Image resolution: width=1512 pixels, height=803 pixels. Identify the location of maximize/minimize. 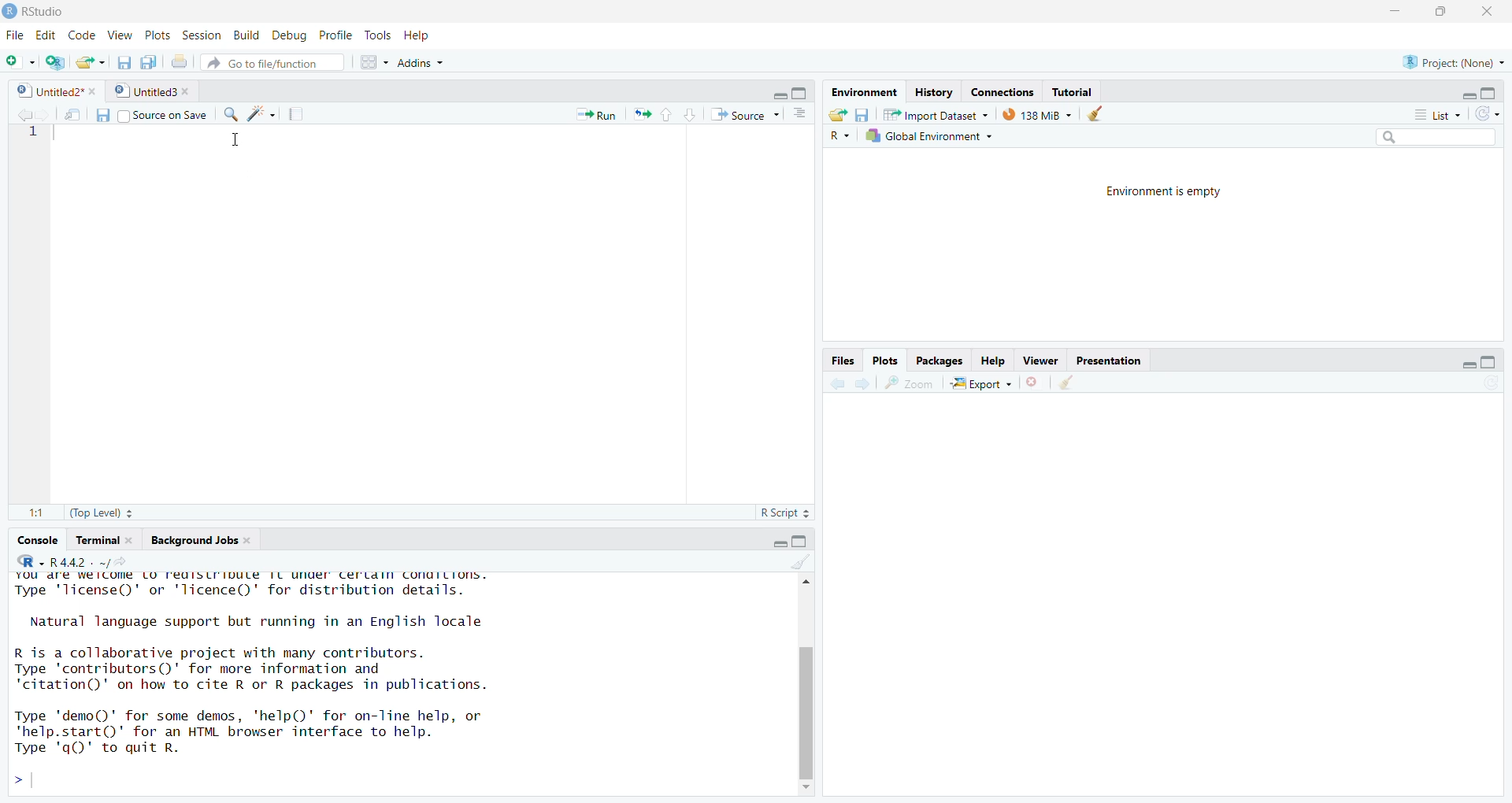
(1480, 91).